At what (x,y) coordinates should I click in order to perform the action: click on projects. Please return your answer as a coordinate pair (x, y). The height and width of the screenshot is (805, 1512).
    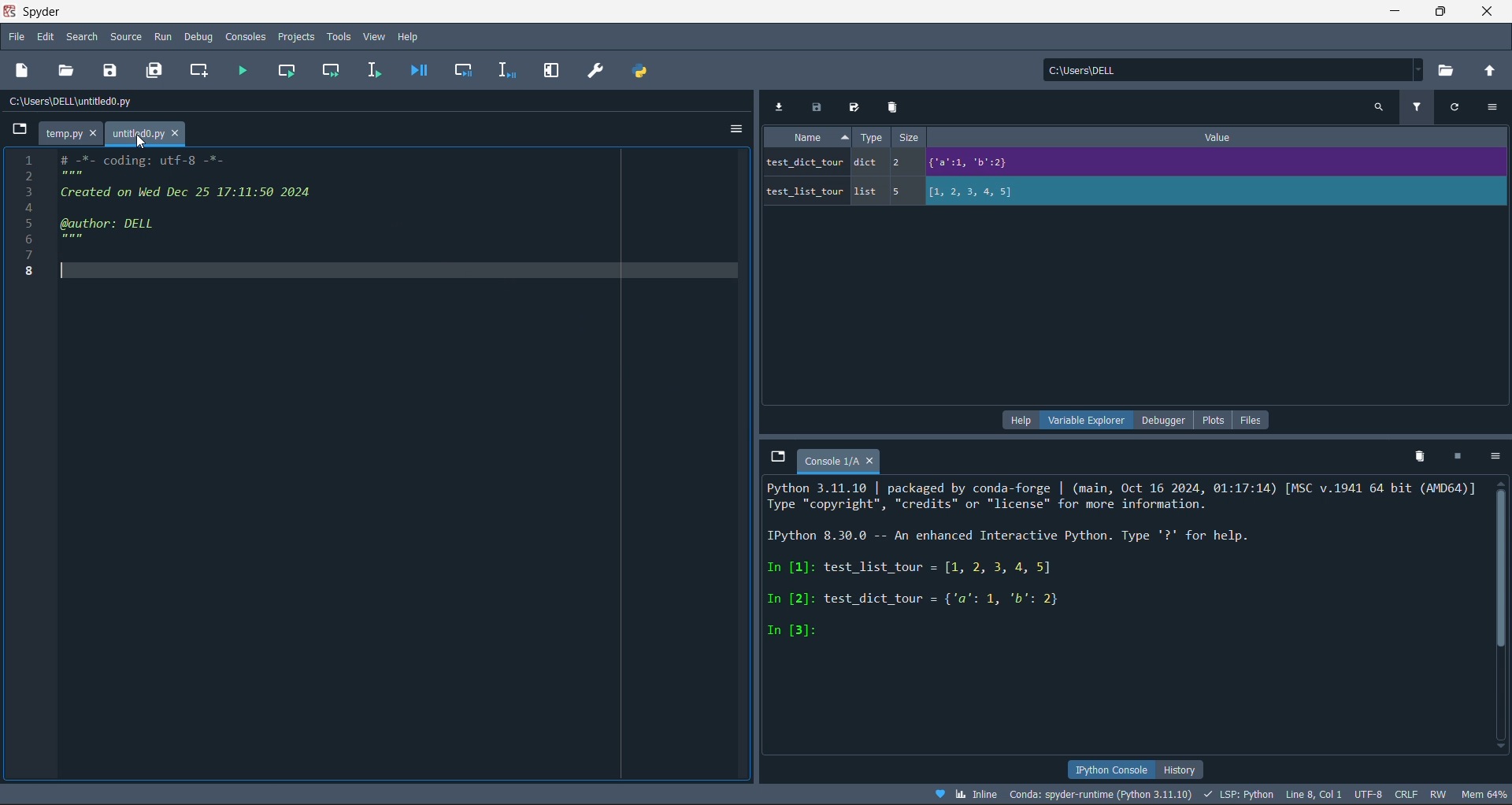
    Looking at the image, I should click on (294, 37).